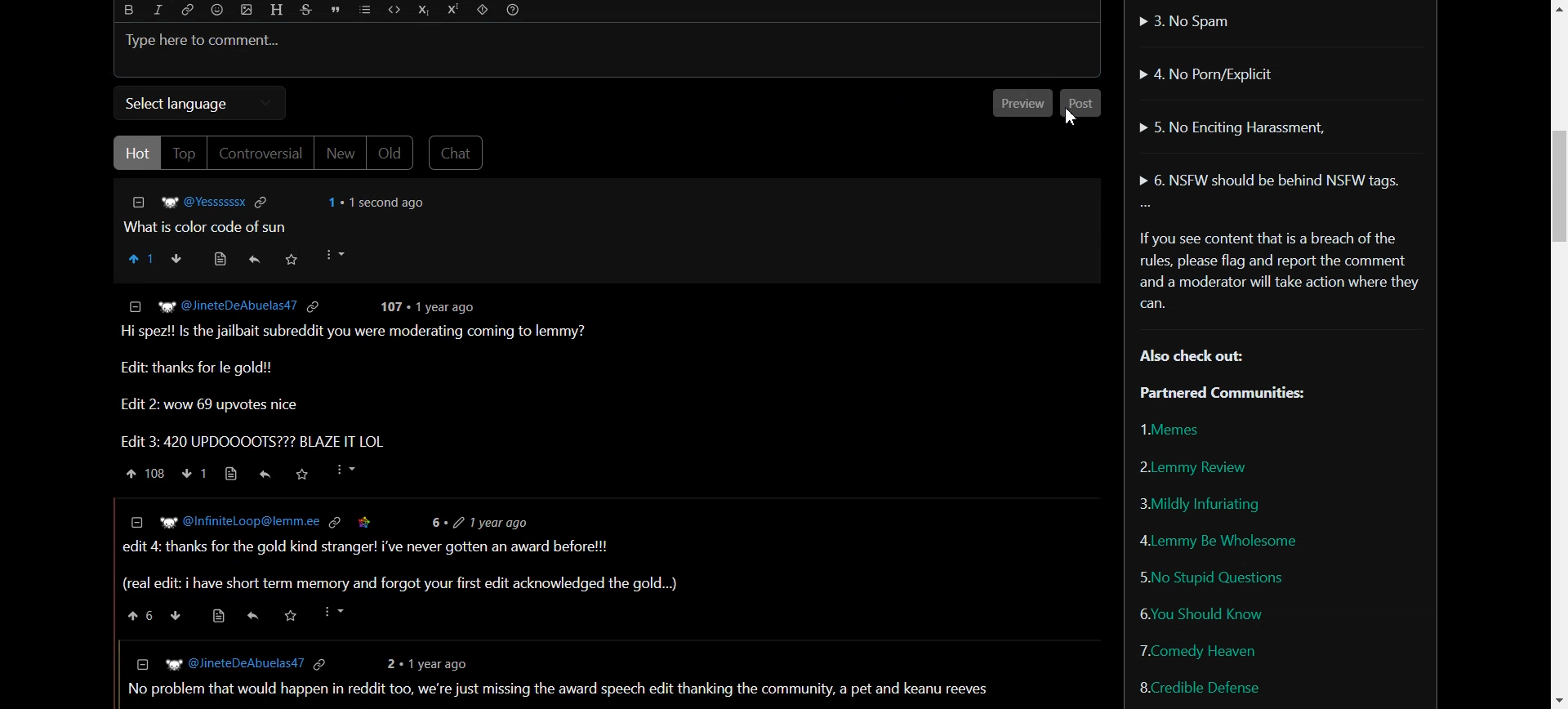 The width and height of the screenshot is (1568, 709). What do you see at coordinates (341, 154) in the screenshot?
I see `New` at bounding box center [341, 154].